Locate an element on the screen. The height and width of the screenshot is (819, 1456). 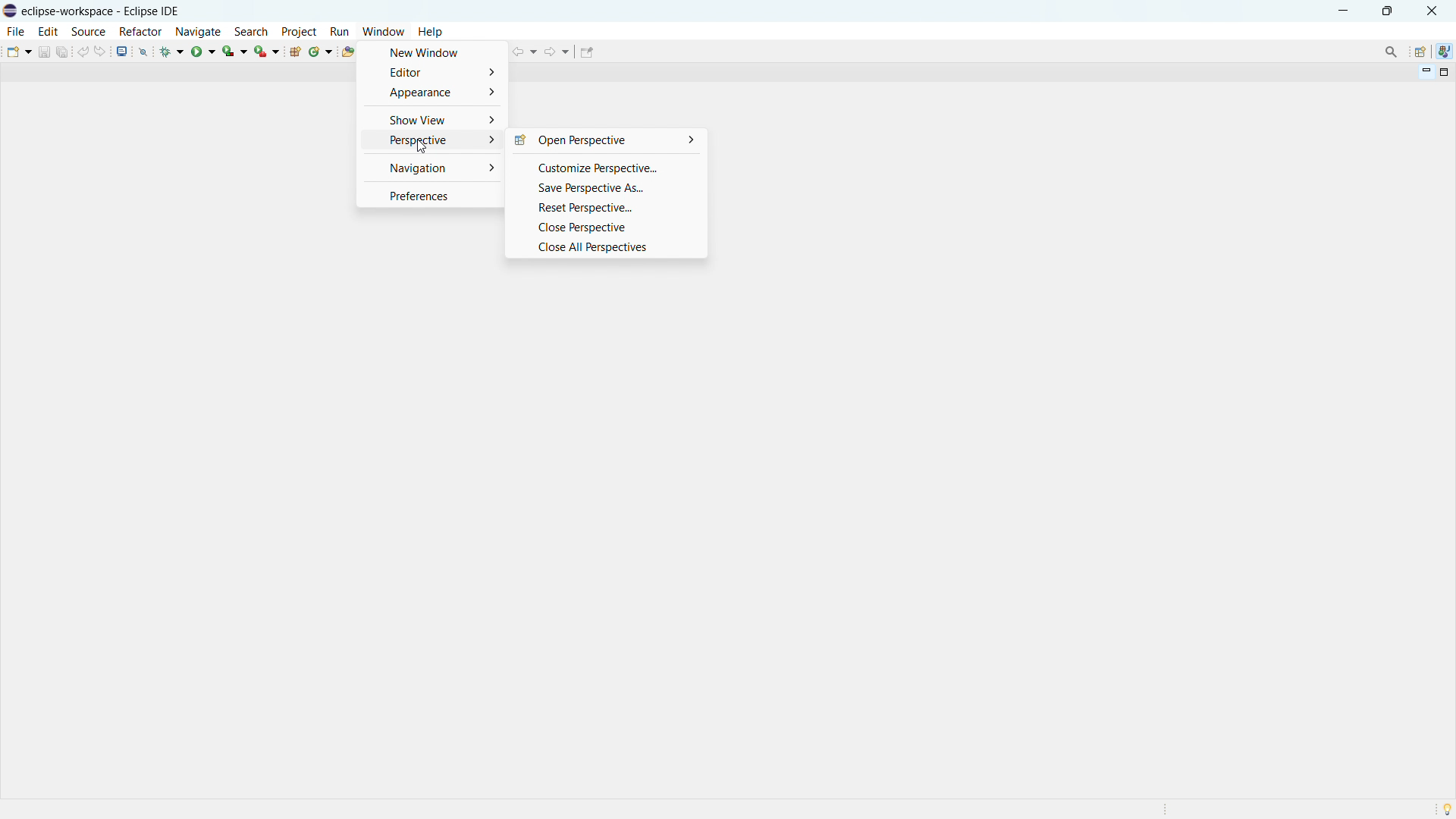
new java class is located at coordinates (322, 52).